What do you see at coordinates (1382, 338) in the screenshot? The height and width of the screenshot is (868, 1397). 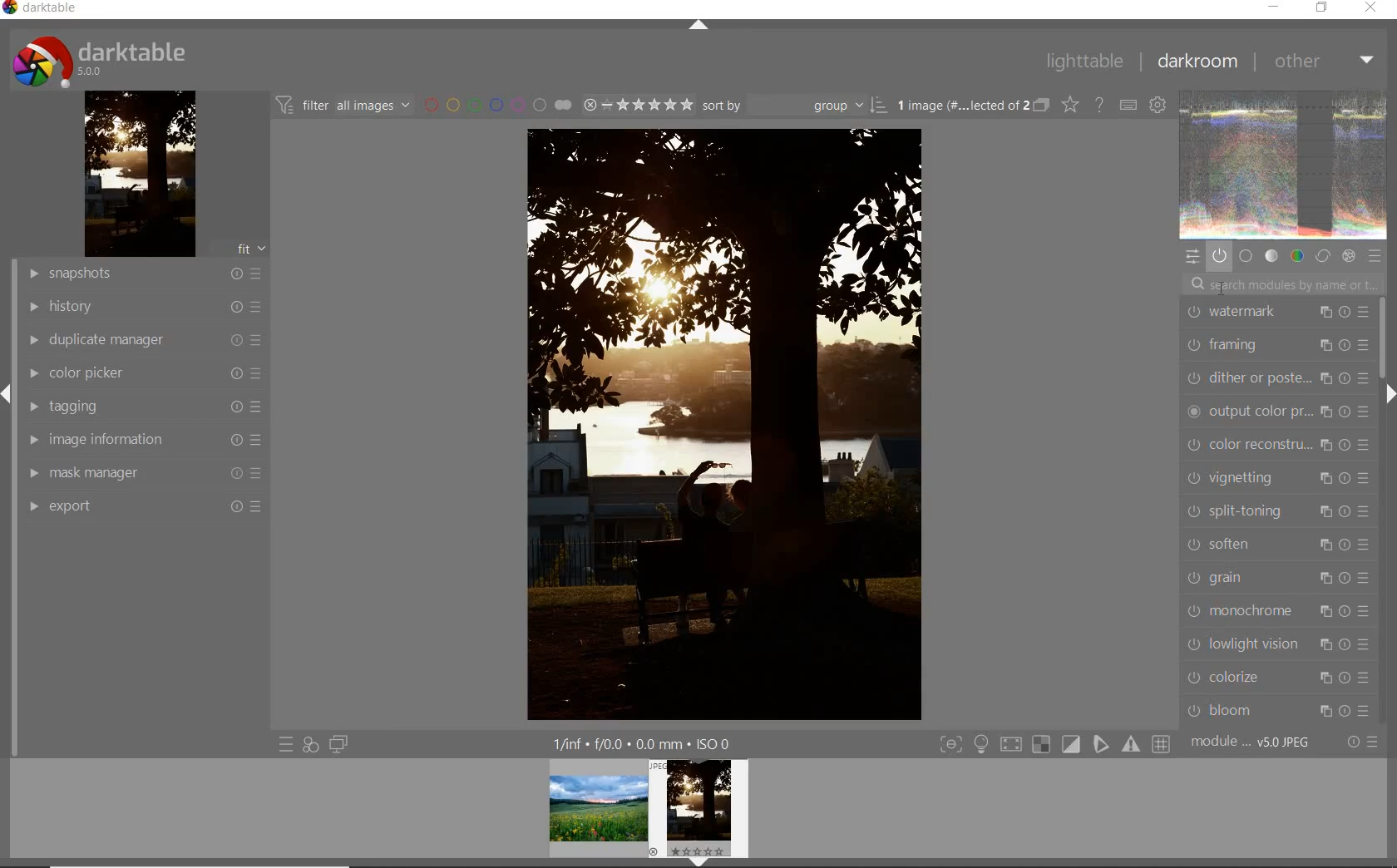 I see `scrollbar` at bounding box center [1382, 338].